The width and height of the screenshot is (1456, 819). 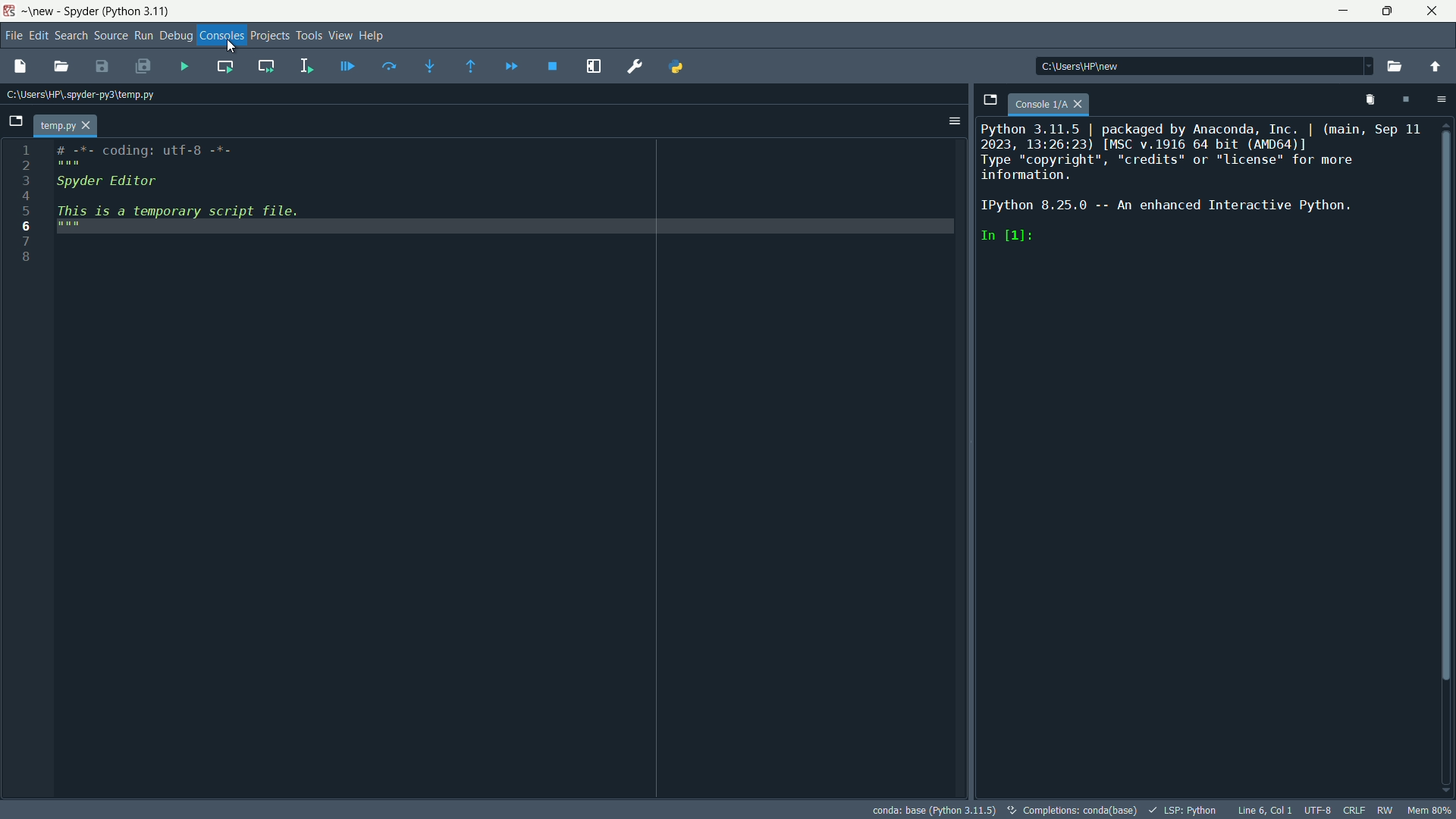 What do you see at coordinates (1038, 105) in the screenshot?
I see `console 1/A` at bounding box center [1038, 105].